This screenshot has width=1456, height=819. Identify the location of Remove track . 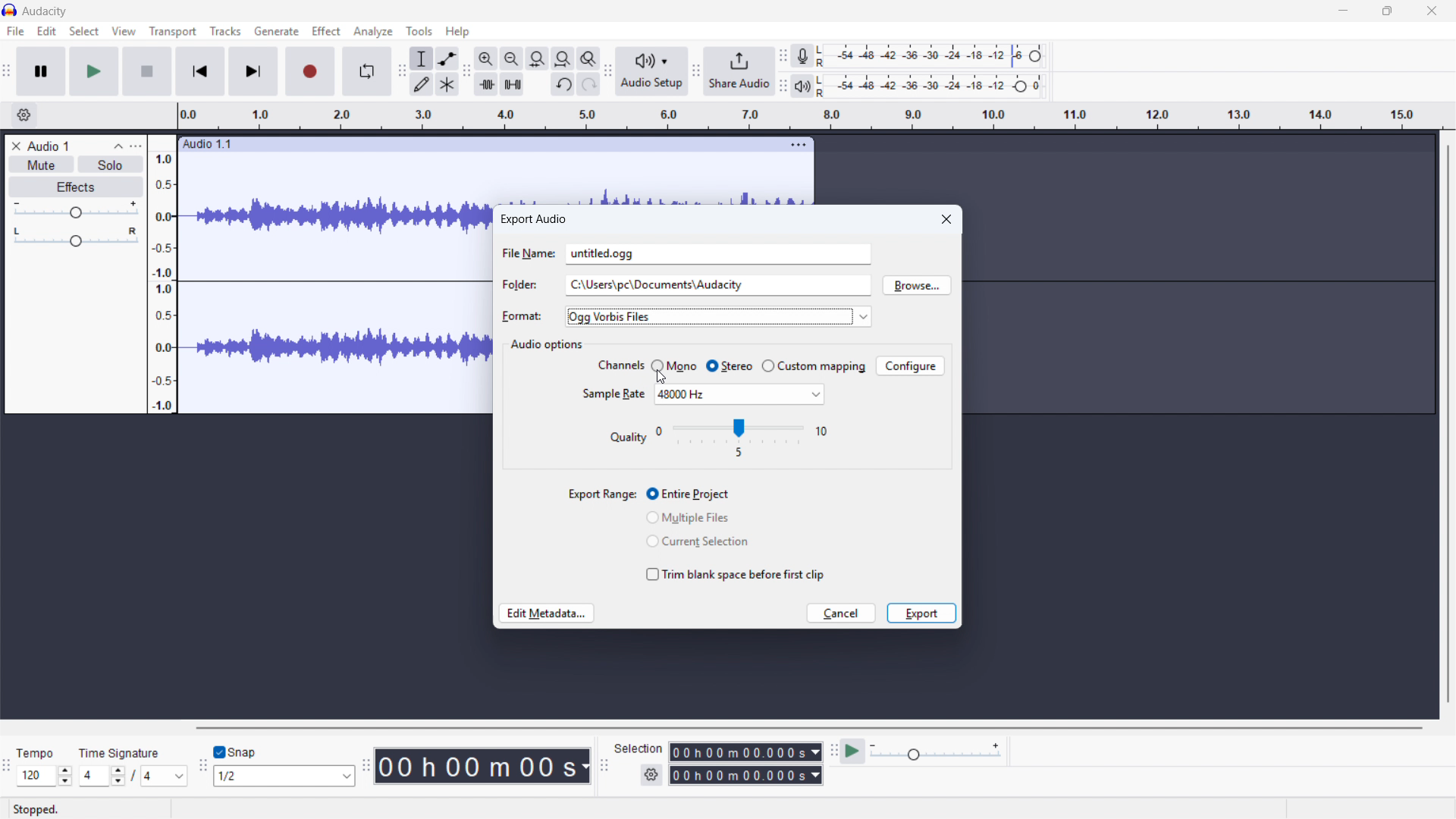
(17, 146).